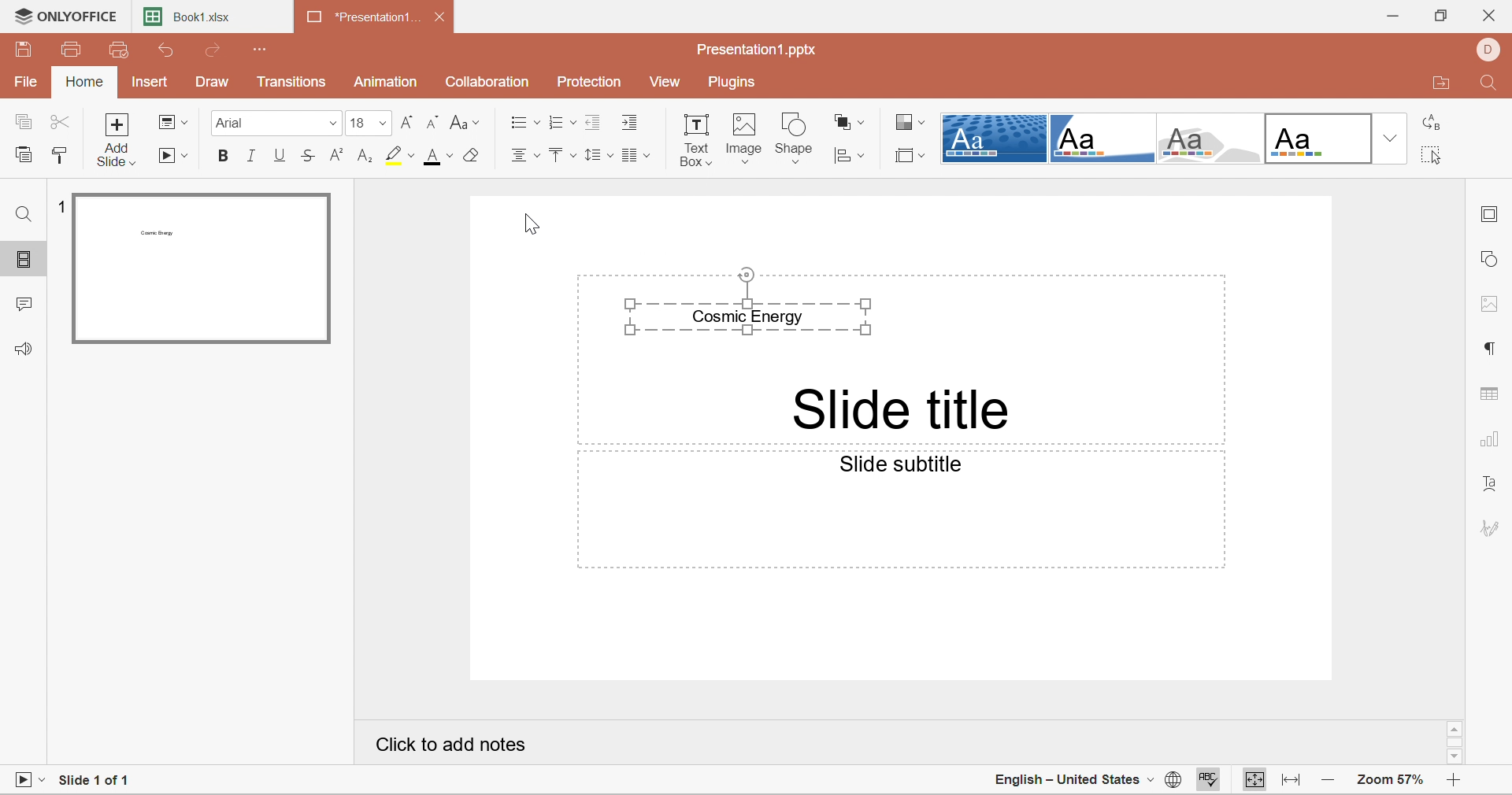  I want to click on DELL, so click(1494, 50).